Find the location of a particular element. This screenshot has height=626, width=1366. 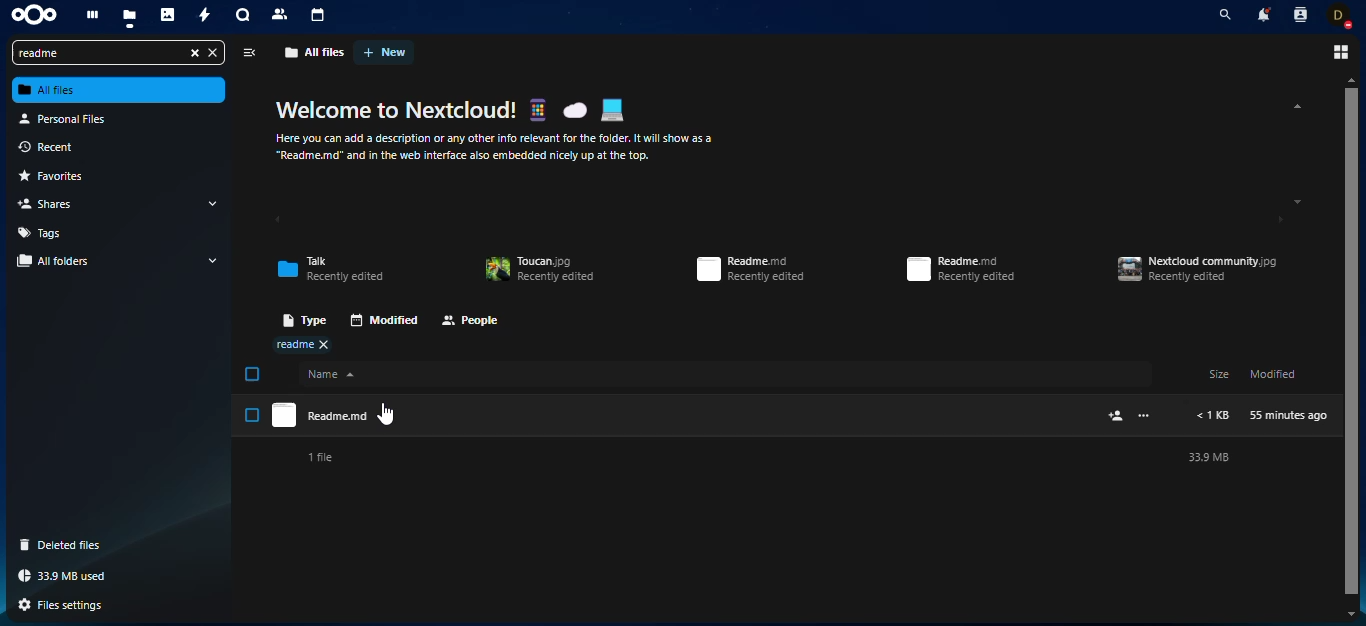

shares is located at coordinates (53, 203).